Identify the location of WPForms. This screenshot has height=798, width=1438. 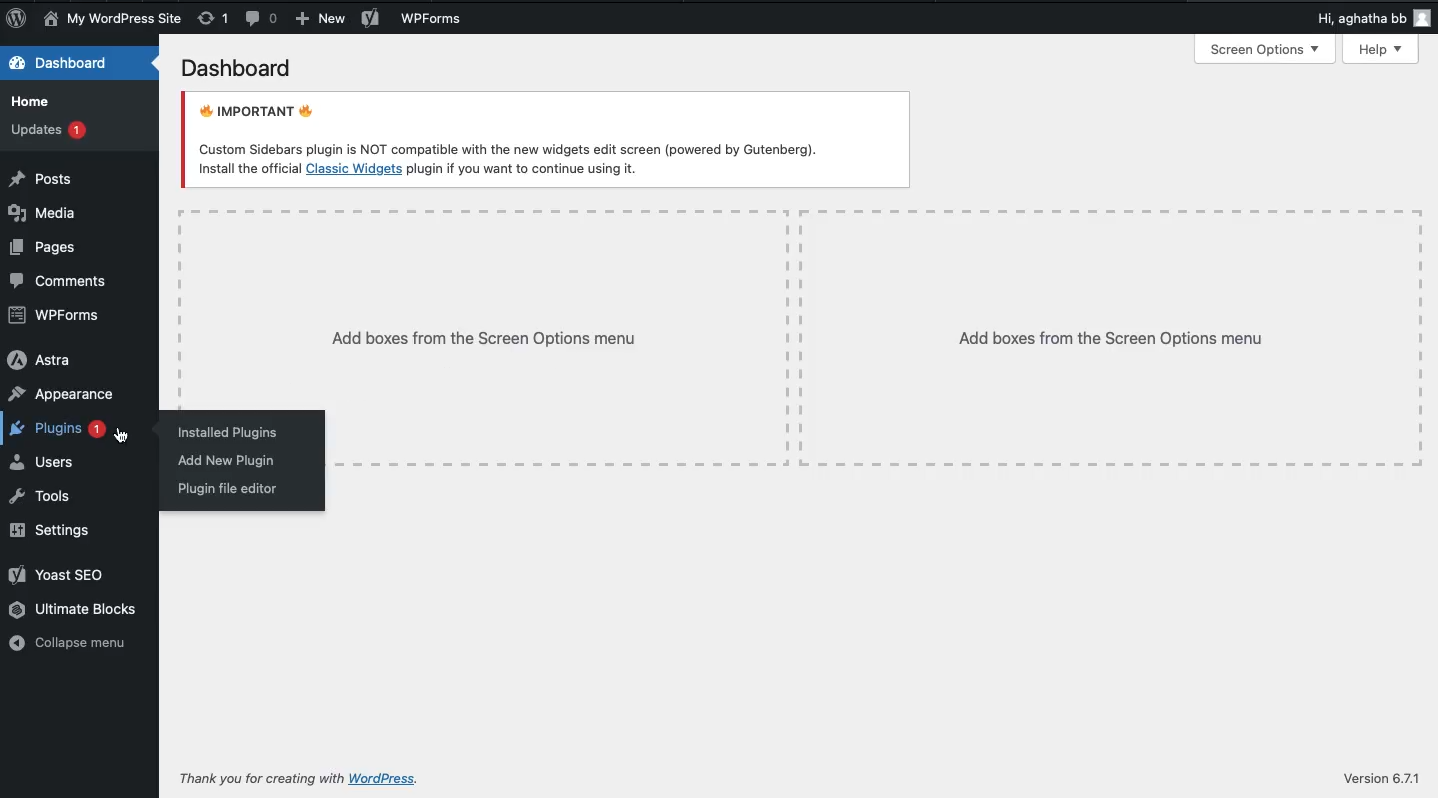
(55, 315).